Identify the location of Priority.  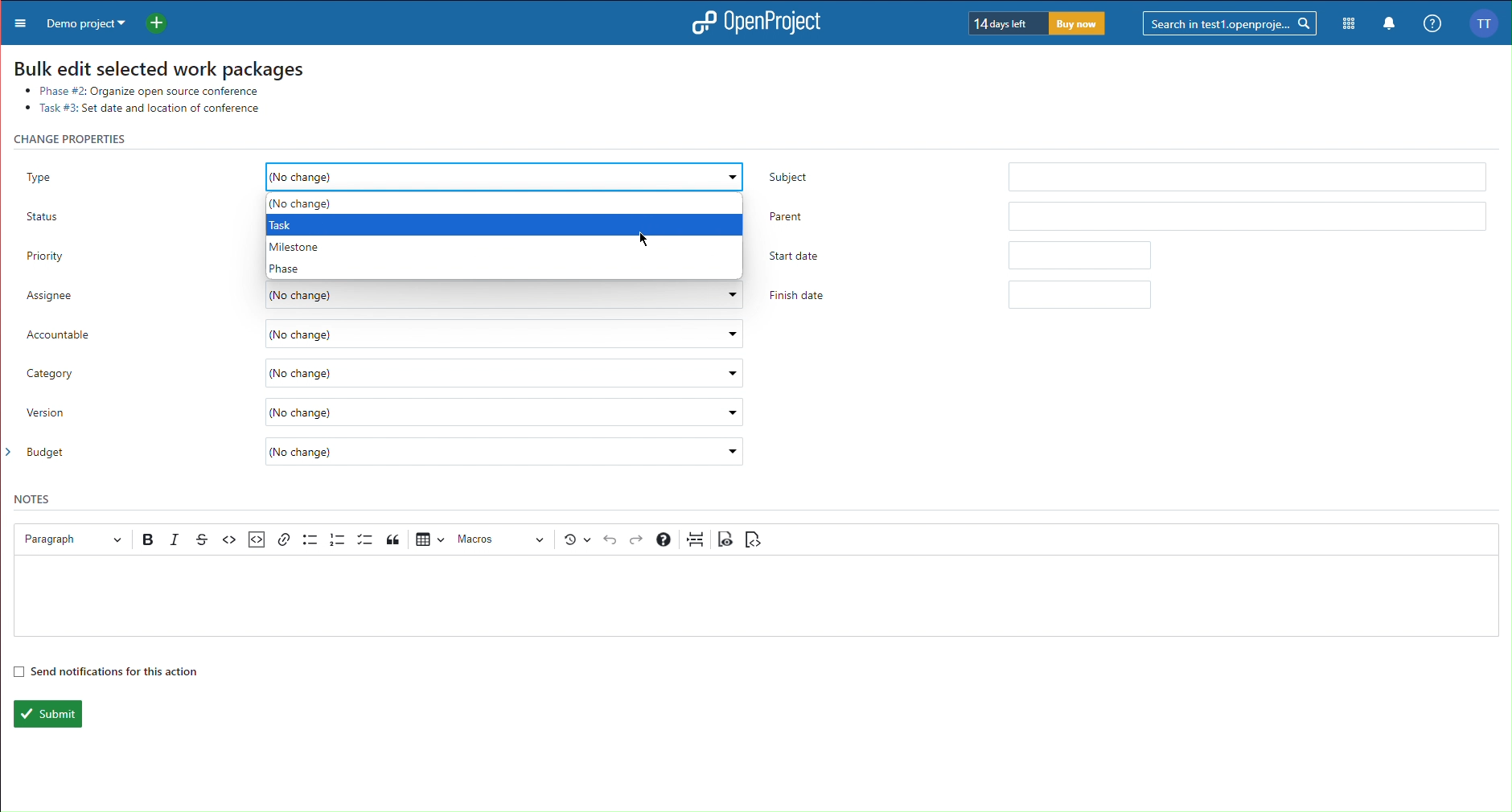
(130, 257).